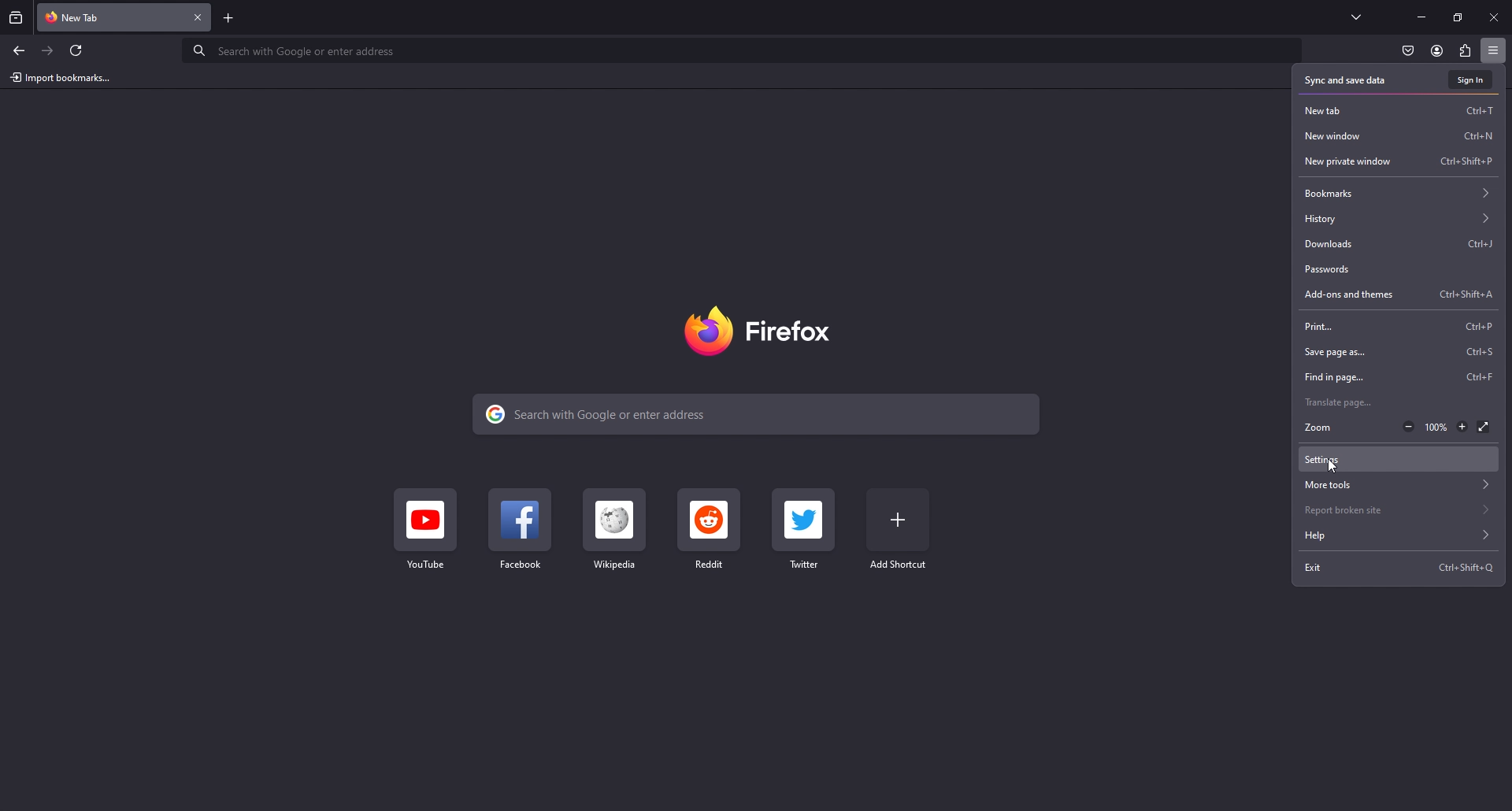 The image size is (1512, 811). I want to click on firefox logo, so click(764, 330).